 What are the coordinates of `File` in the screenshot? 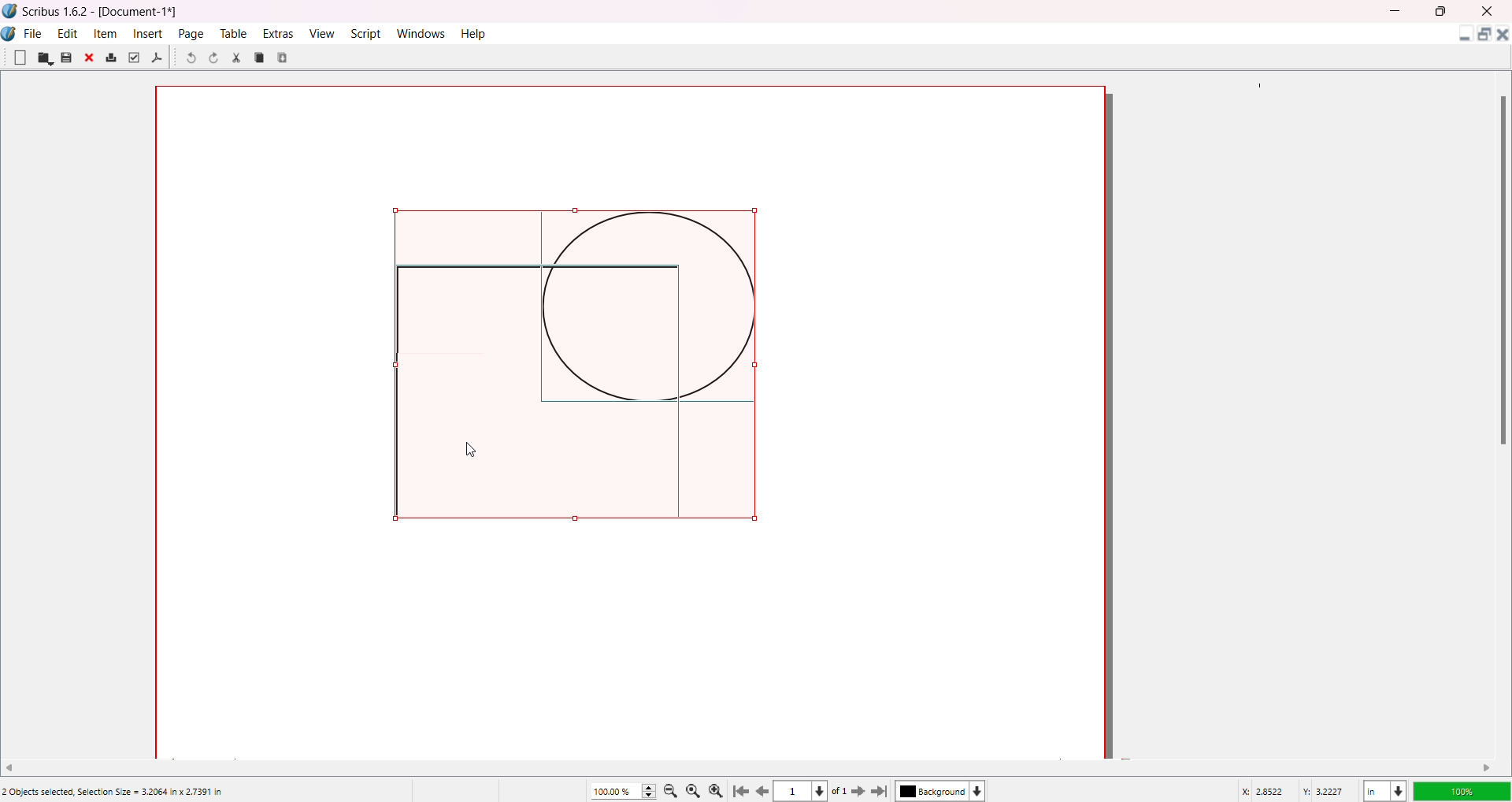 It's located at (34, 32).